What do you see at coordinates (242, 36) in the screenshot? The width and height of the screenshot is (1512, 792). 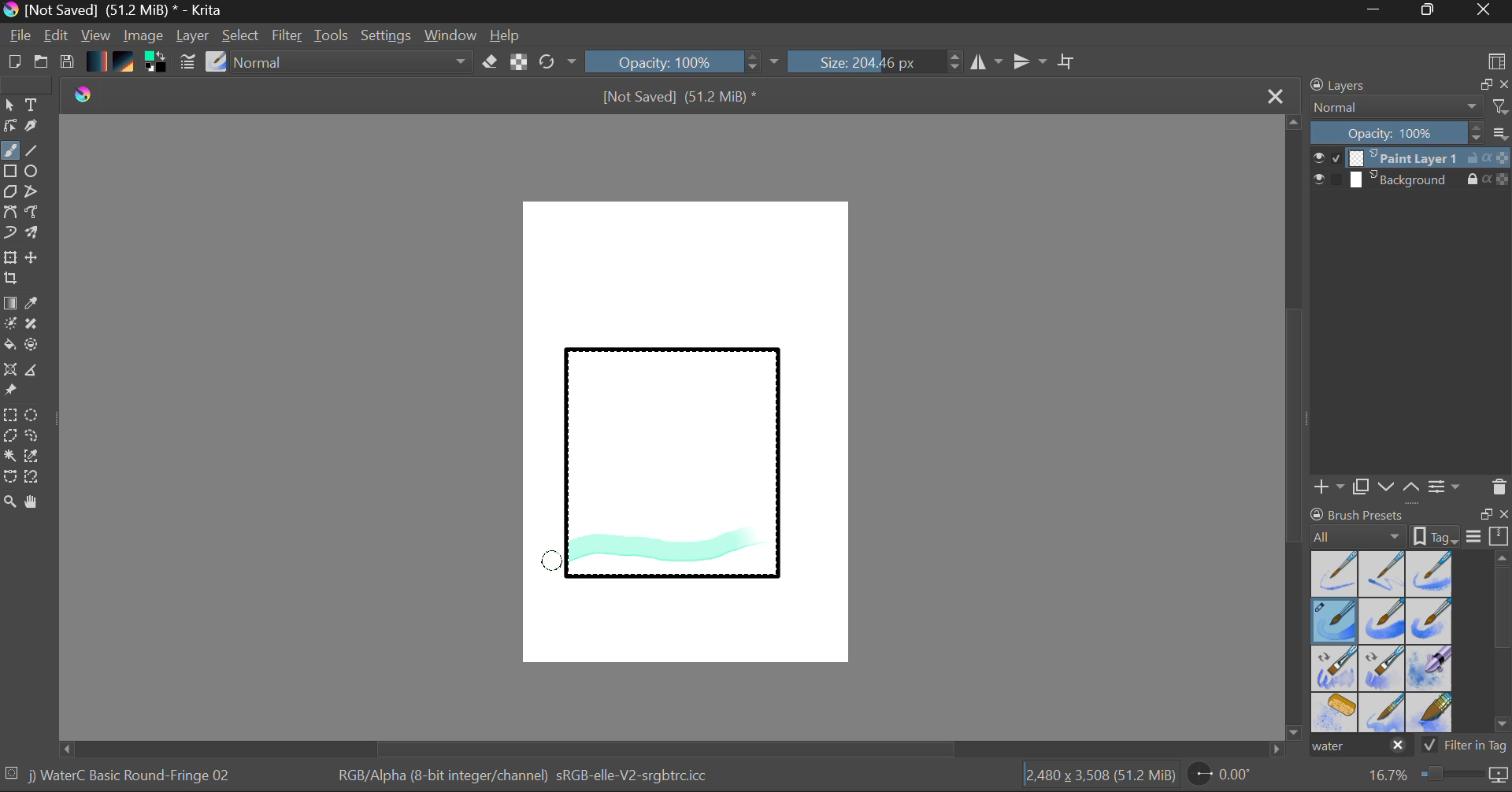 I see `Select` at bounding box center [242, 36].